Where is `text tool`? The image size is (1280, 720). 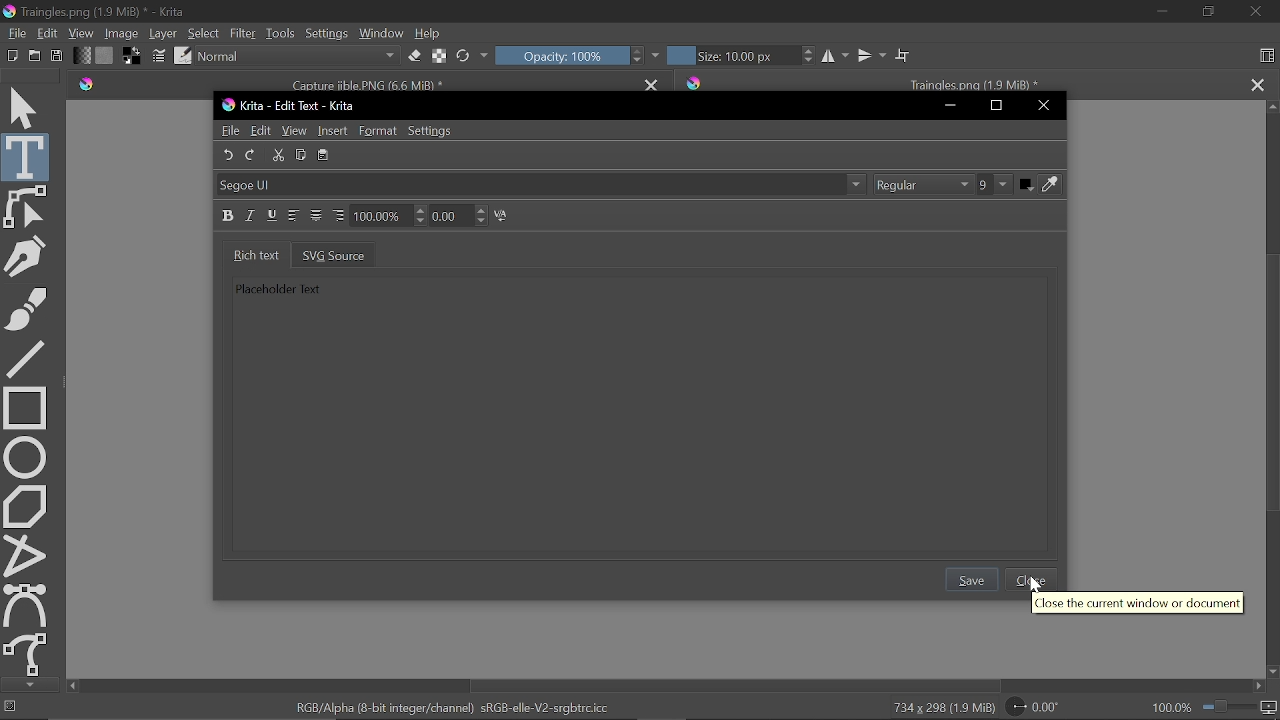 text tool is located at coordinates (26, 157).